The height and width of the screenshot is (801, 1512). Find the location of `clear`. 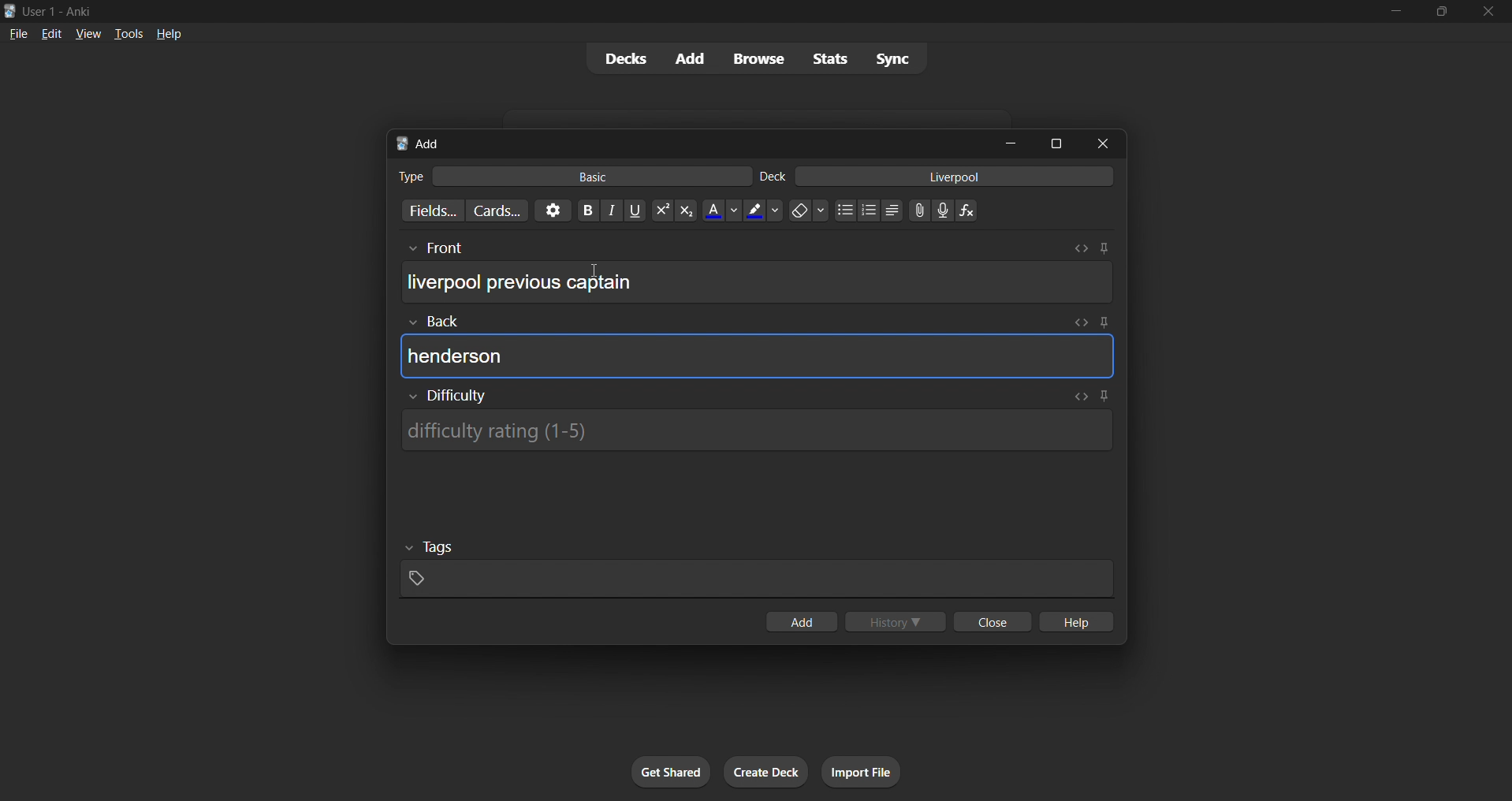

clear is located at coordinates (808, 210).